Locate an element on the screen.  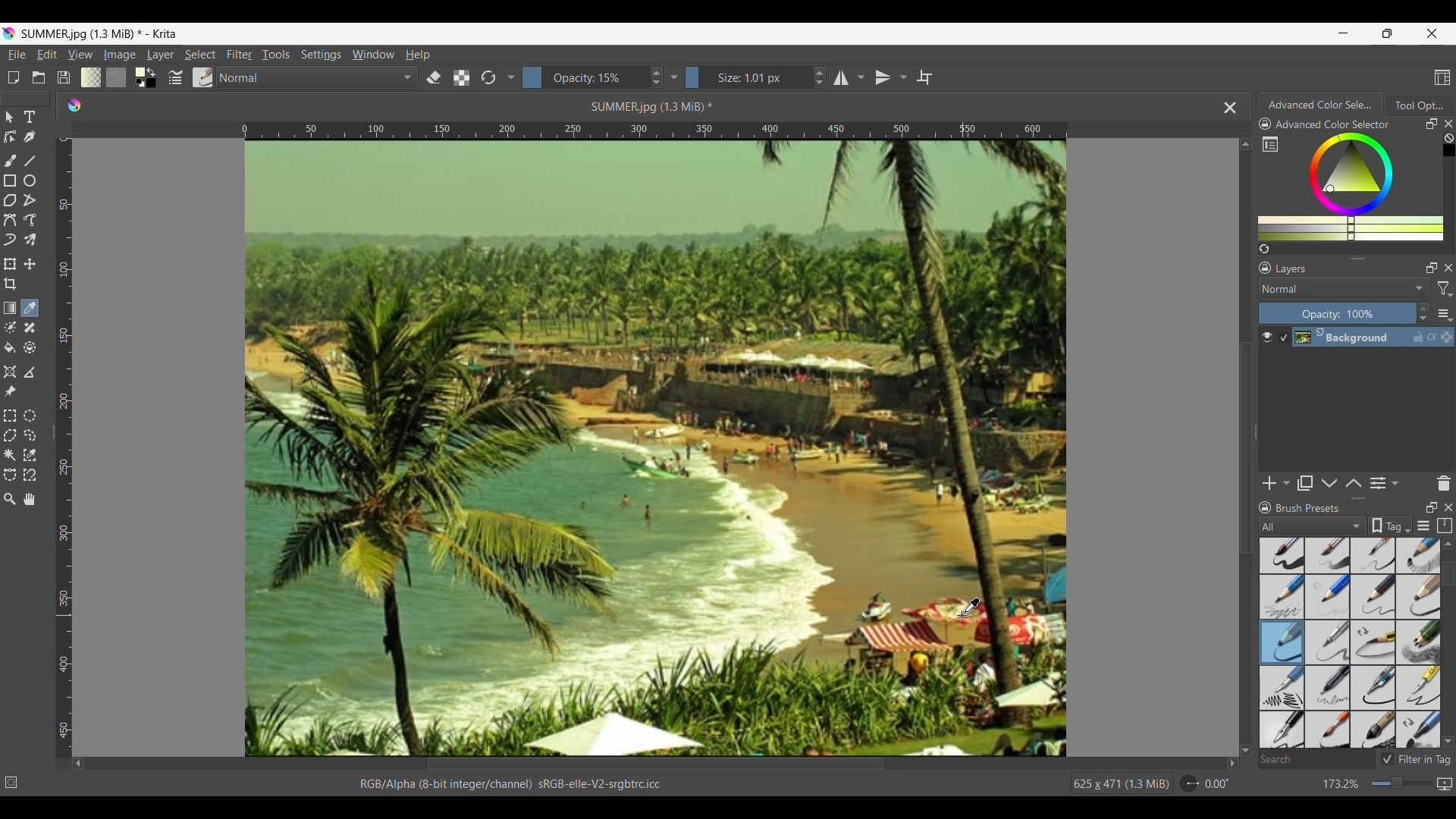
Draw a gradient is located at coordinates (10, 307).